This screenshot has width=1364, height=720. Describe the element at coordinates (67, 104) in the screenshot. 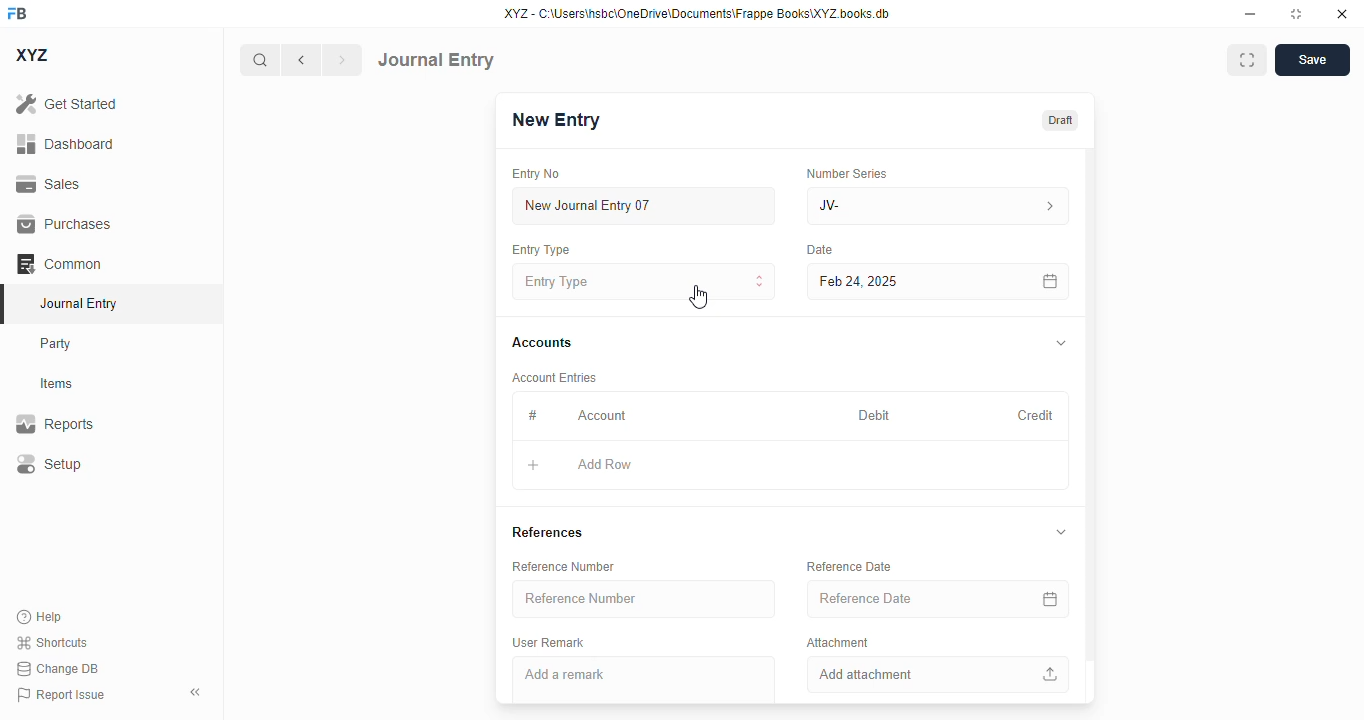

I see `get started` at that location.